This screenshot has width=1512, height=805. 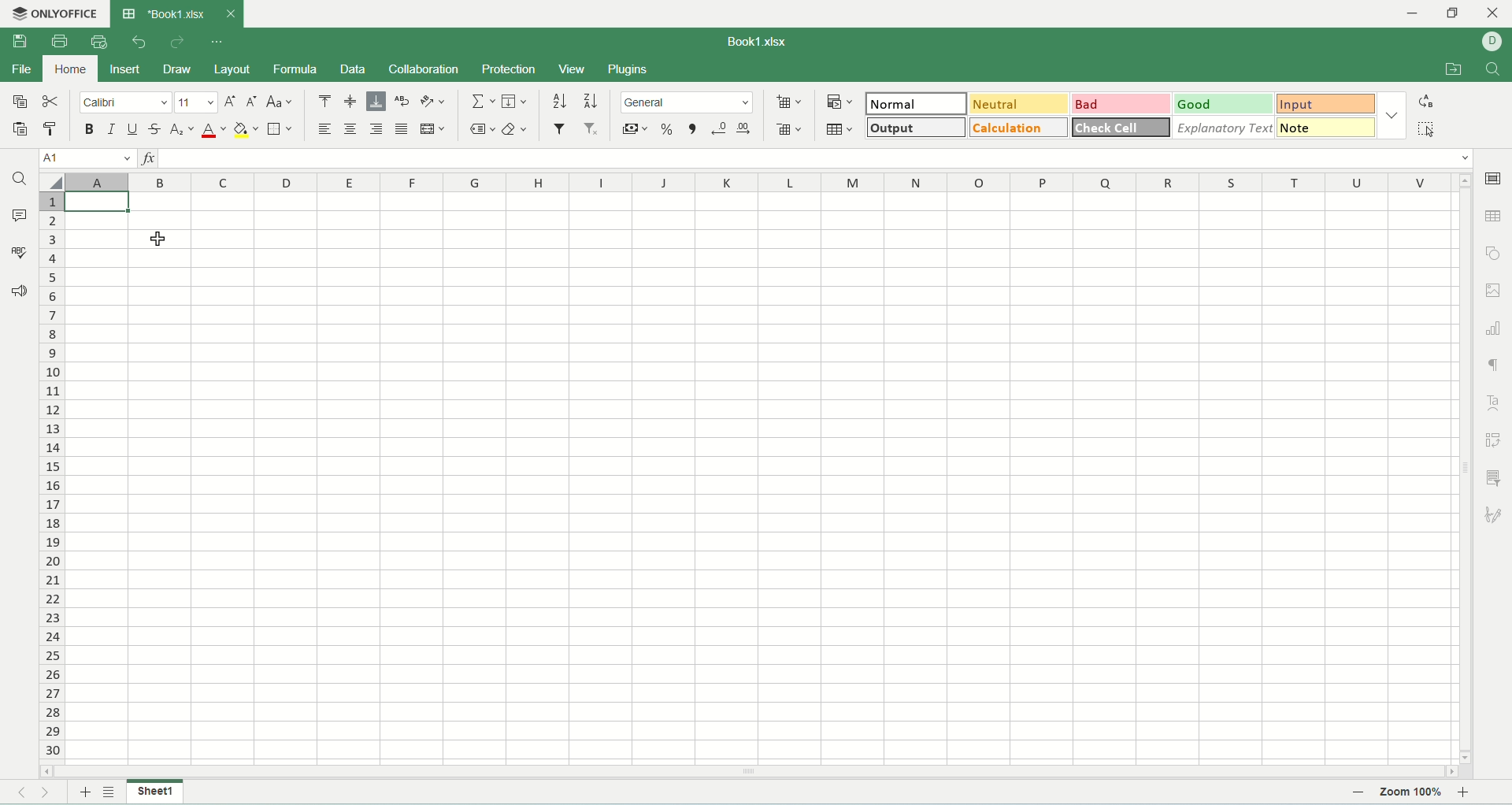 I want to click on data, so click(x=353, y=69).